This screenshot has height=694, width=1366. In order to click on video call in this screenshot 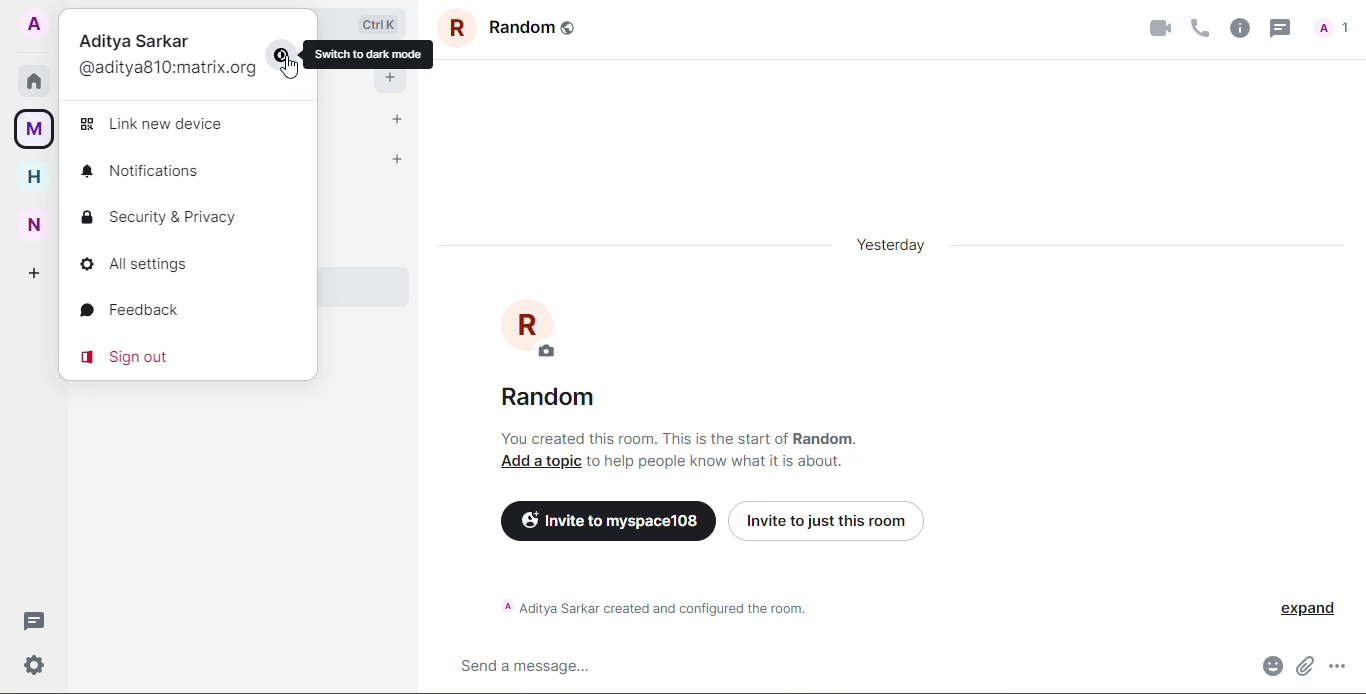, I will do `click(1159, 27)`.